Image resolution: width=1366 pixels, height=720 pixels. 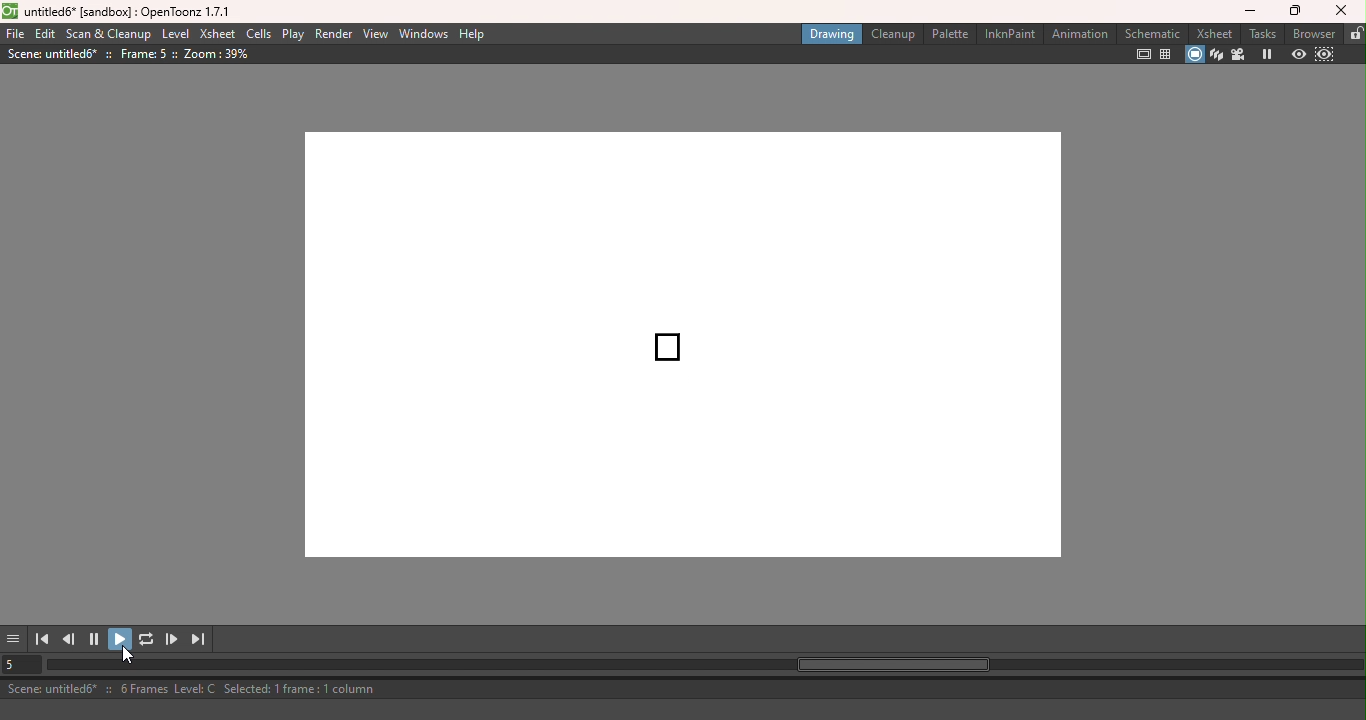 I want to click on File name, so click(x=117, y=12).